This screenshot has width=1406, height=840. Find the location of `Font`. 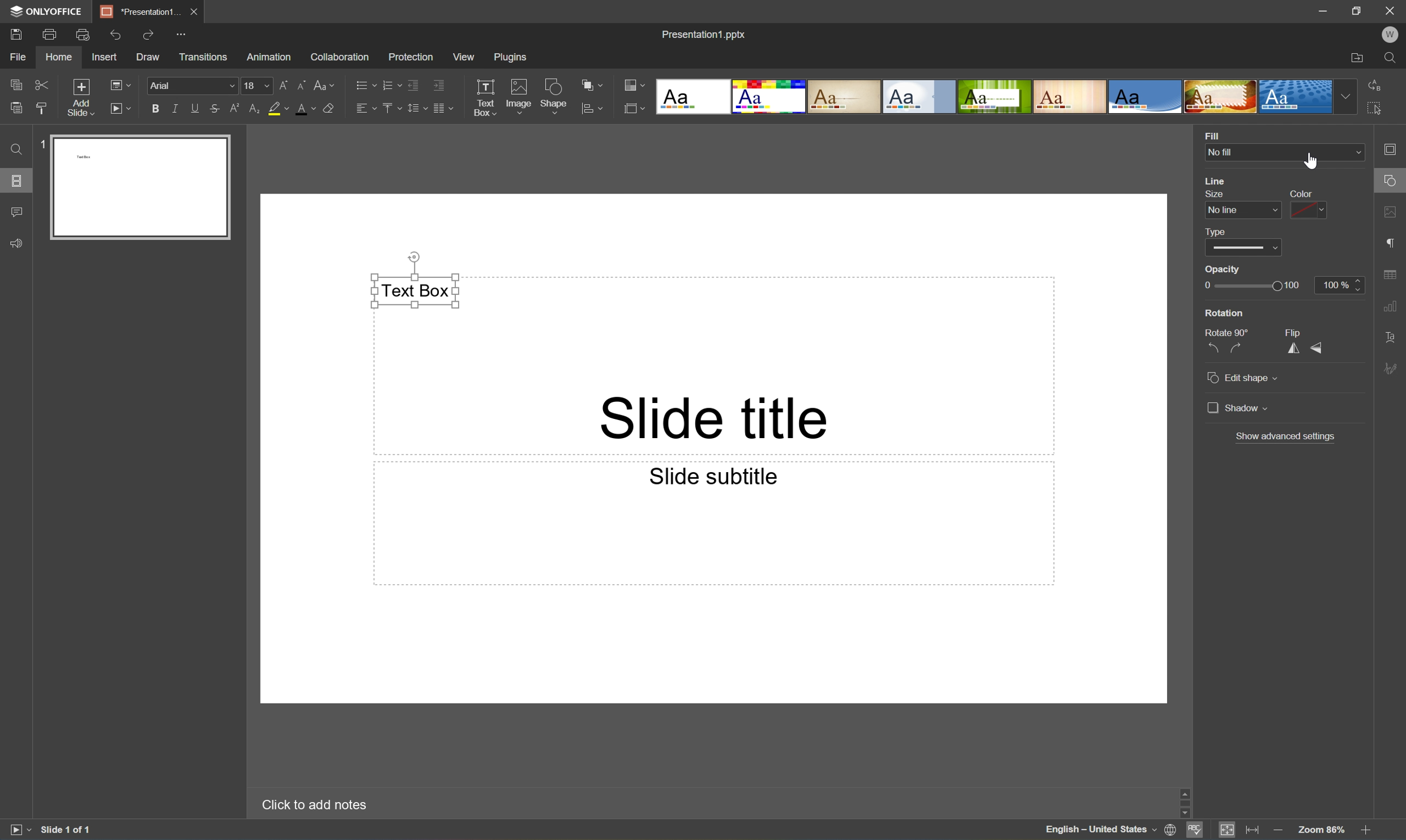

Font is located at coordinates (190, 87).